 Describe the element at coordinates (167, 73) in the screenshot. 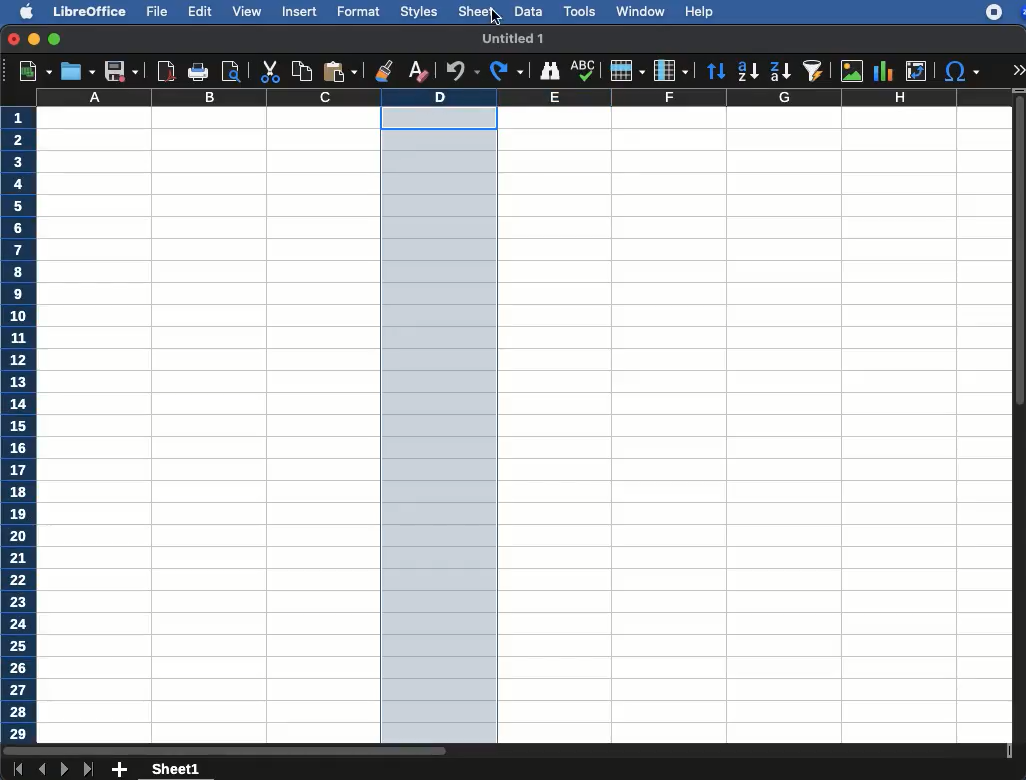

I see `pdf view` at that location.